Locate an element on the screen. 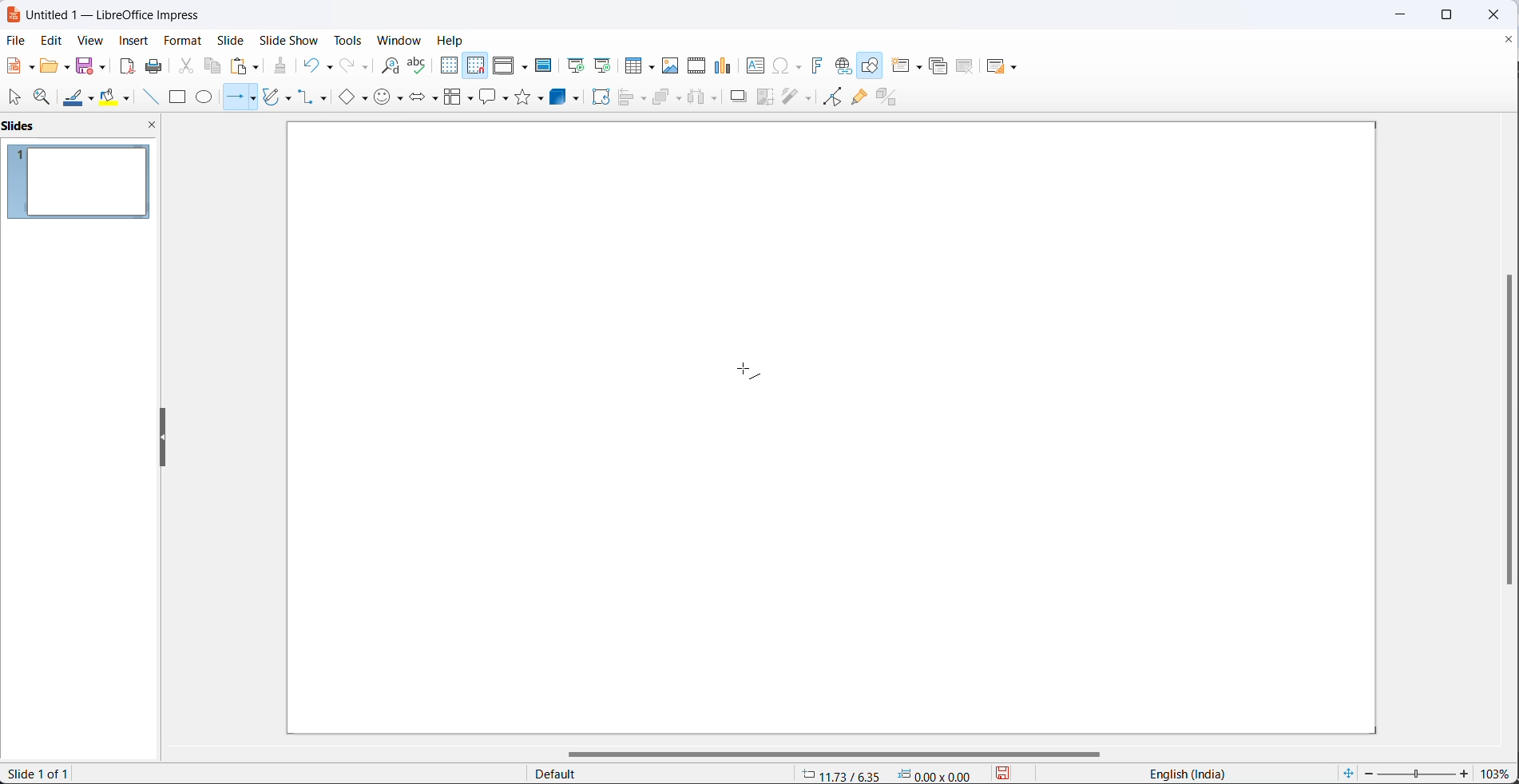 Image resolution: width=1519 pixels, height=784 pixels. save  is located at coordinates (88, 65).